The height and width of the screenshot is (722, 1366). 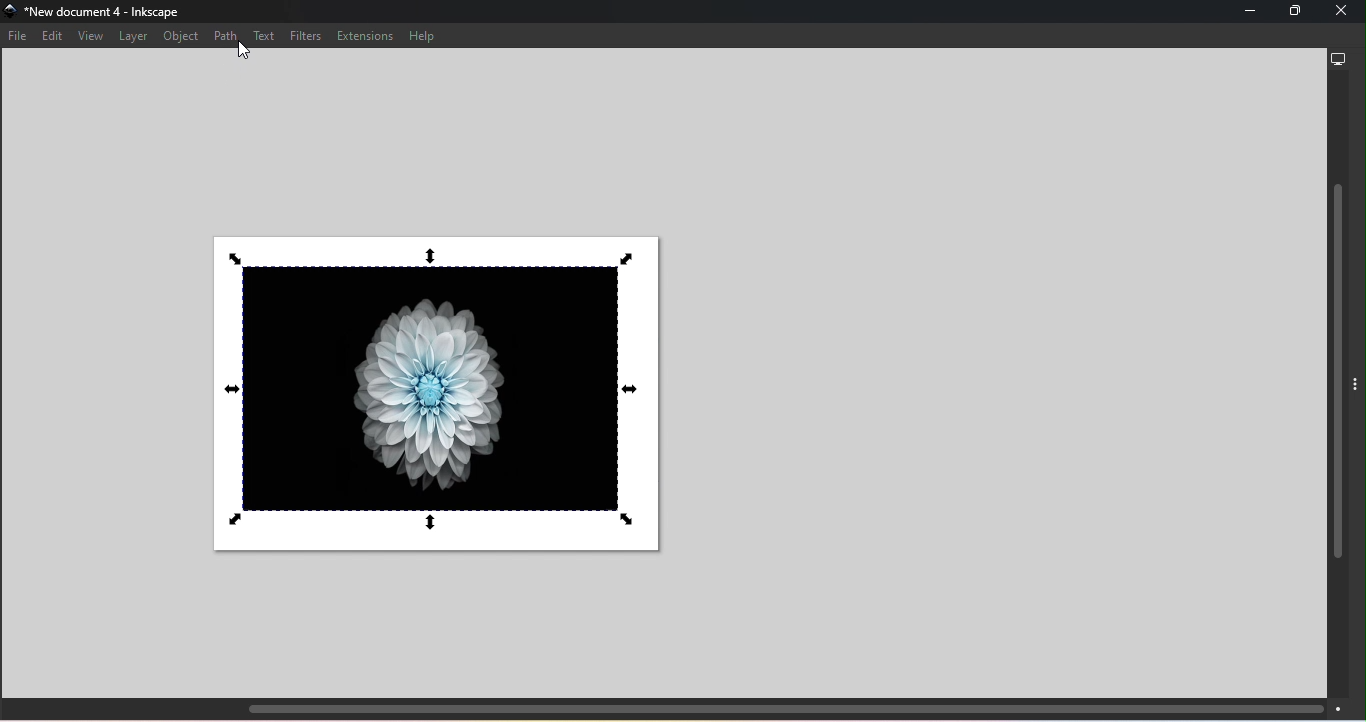 What do you see at coordinates (225, 35) in the screenshot?
I see `Path` at bounding box center [225, 35].